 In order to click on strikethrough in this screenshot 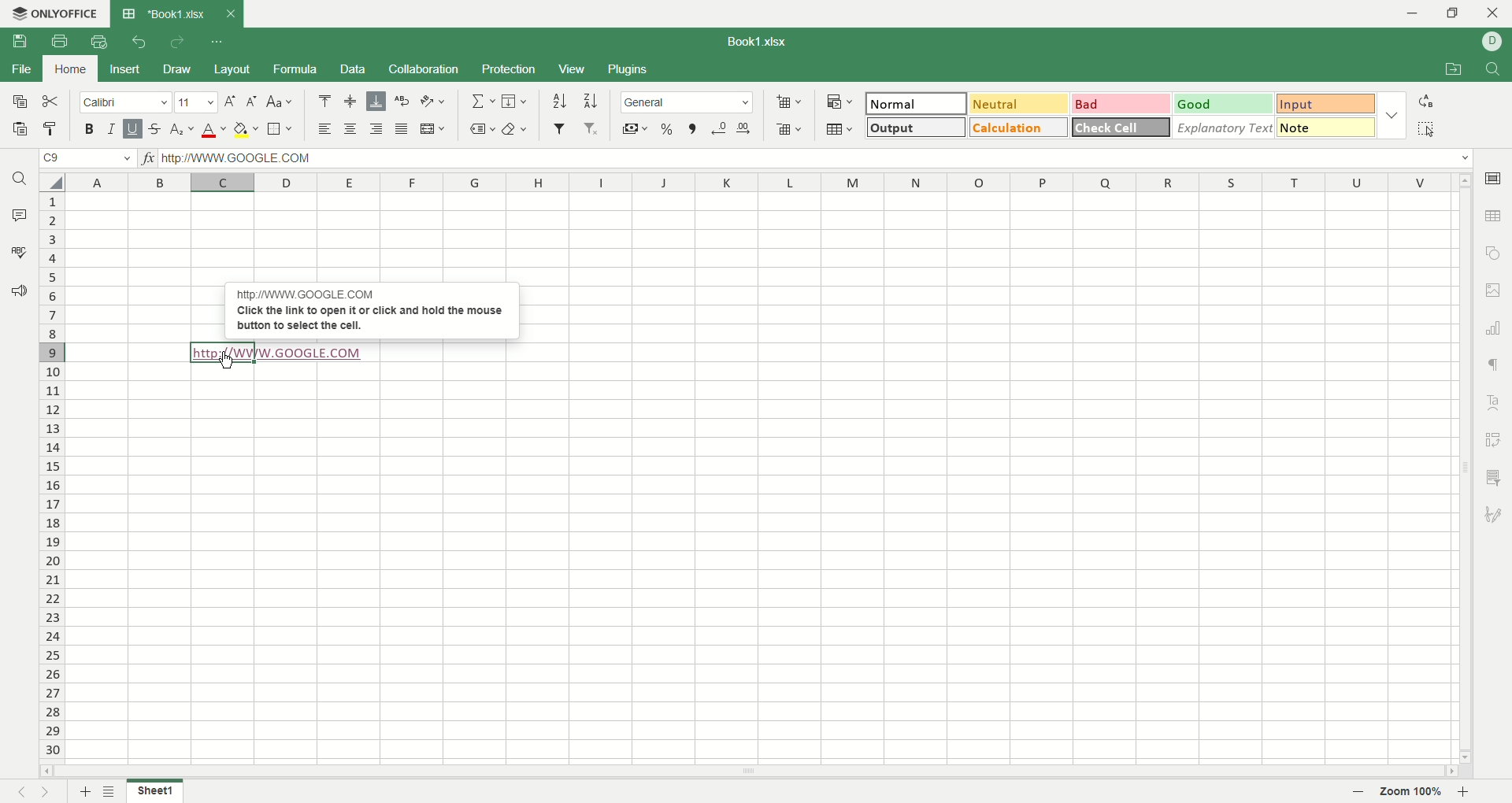, I will do `click(153, 130)`.